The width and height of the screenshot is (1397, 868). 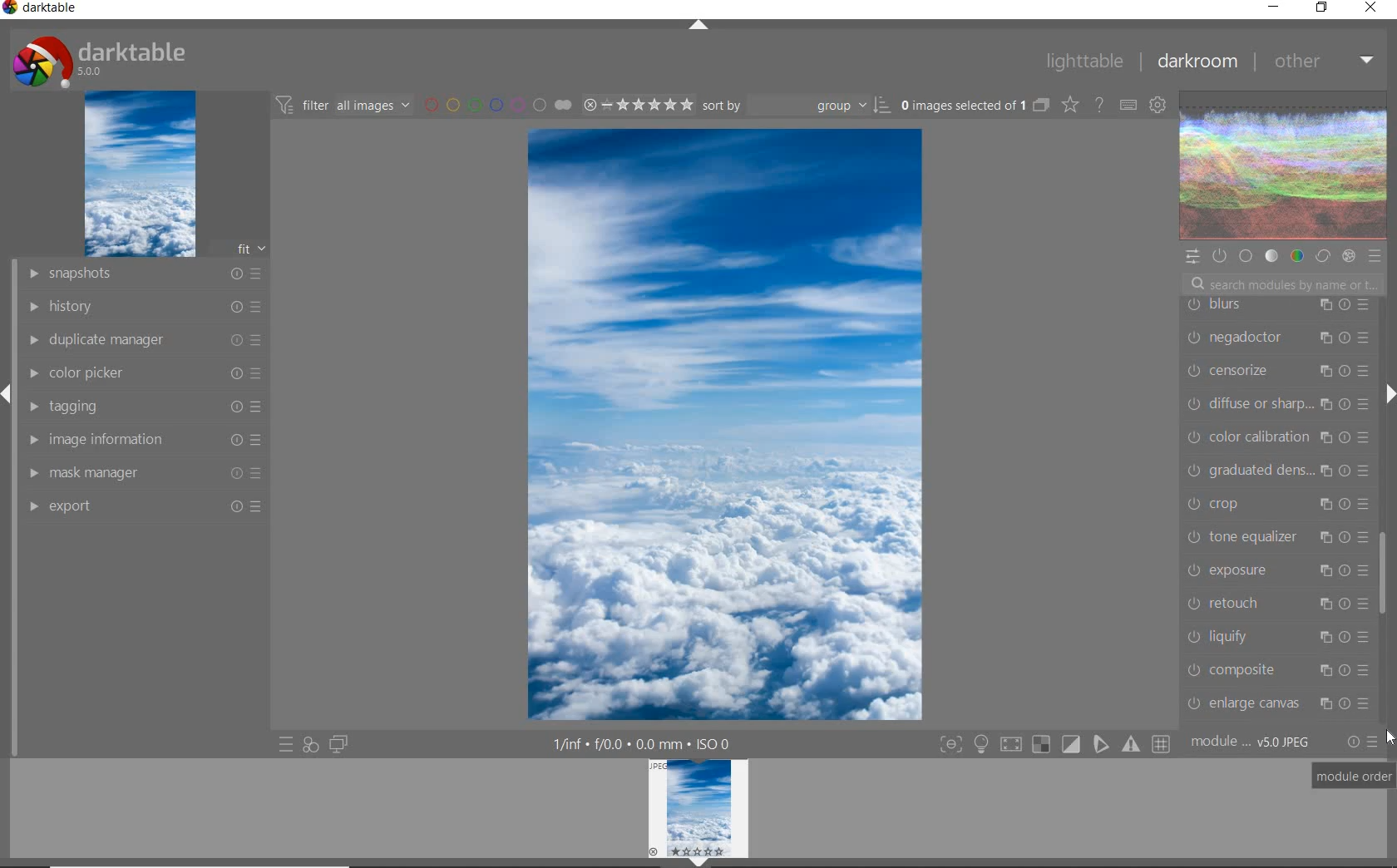 I want to click on censorize, so click(x=1276, y=372).